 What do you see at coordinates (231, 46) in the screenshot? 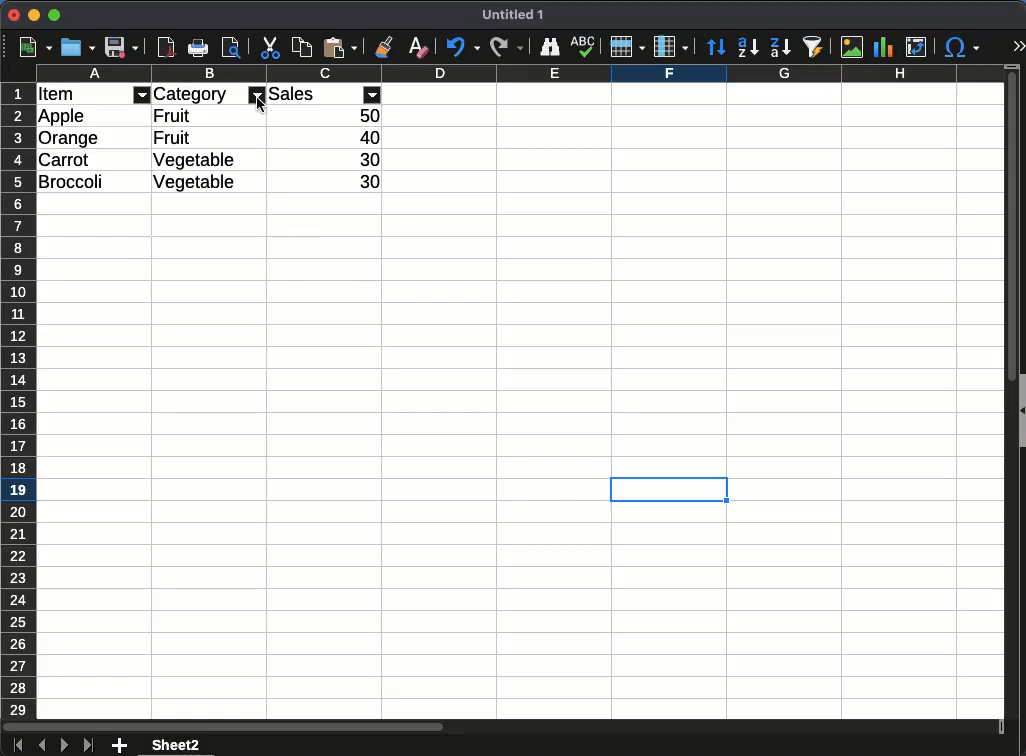
I see `print` at bounding box center [231, 46].